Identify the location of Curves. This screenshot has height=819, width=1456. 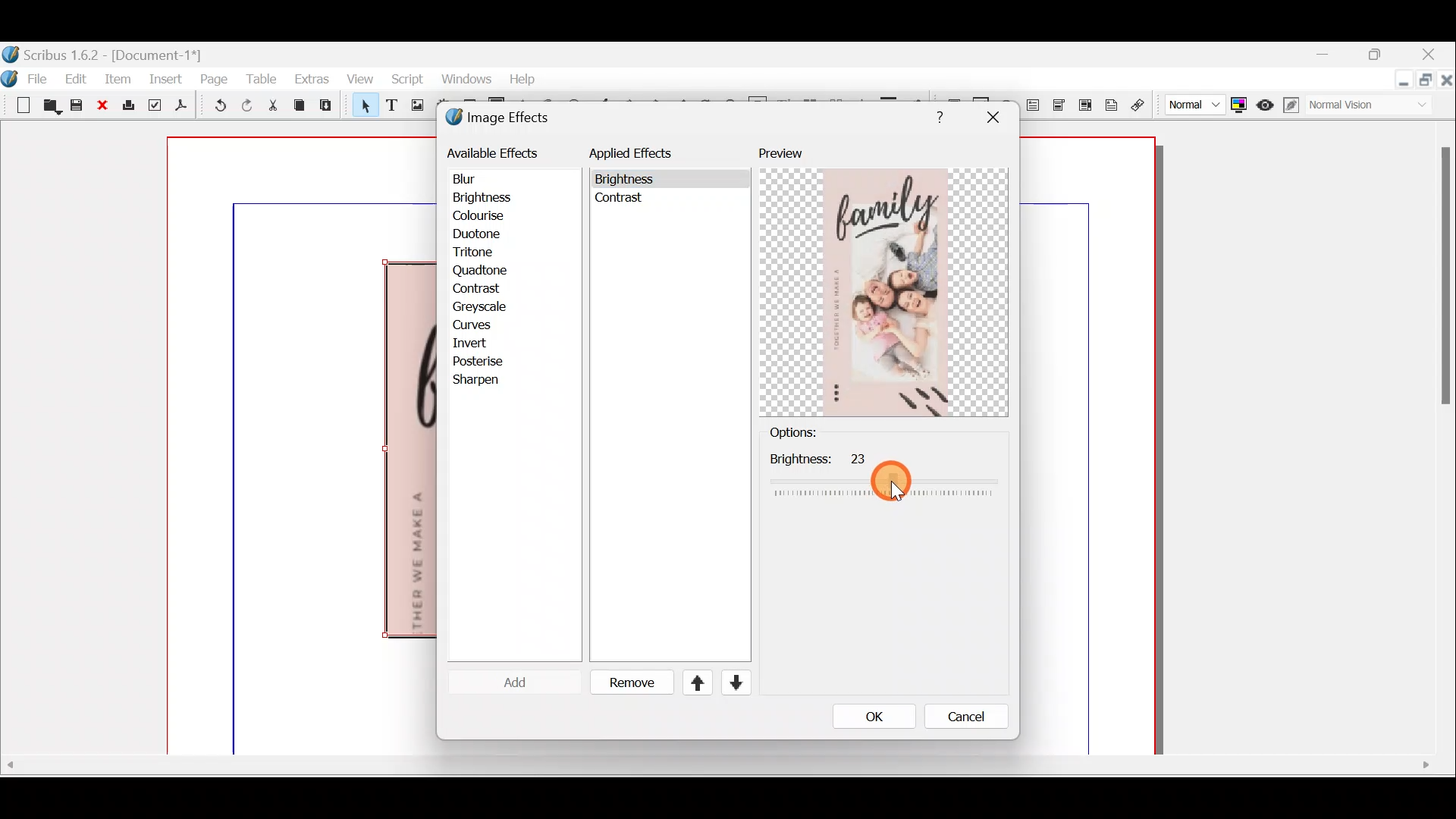
(483, 325).